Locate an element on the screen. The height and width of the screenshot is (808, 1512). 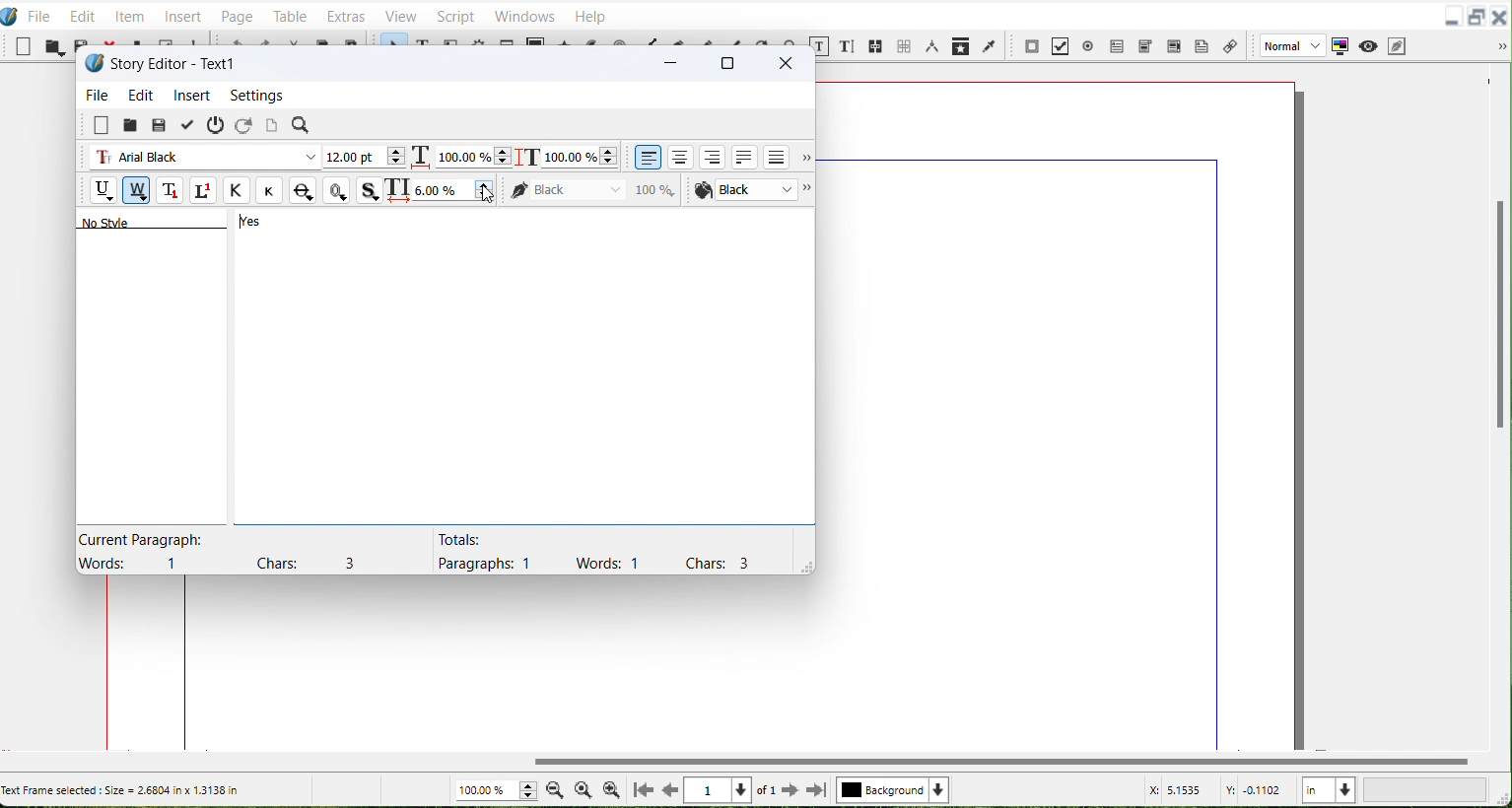
Color of Text stroke is located at coordinates (593, 190).